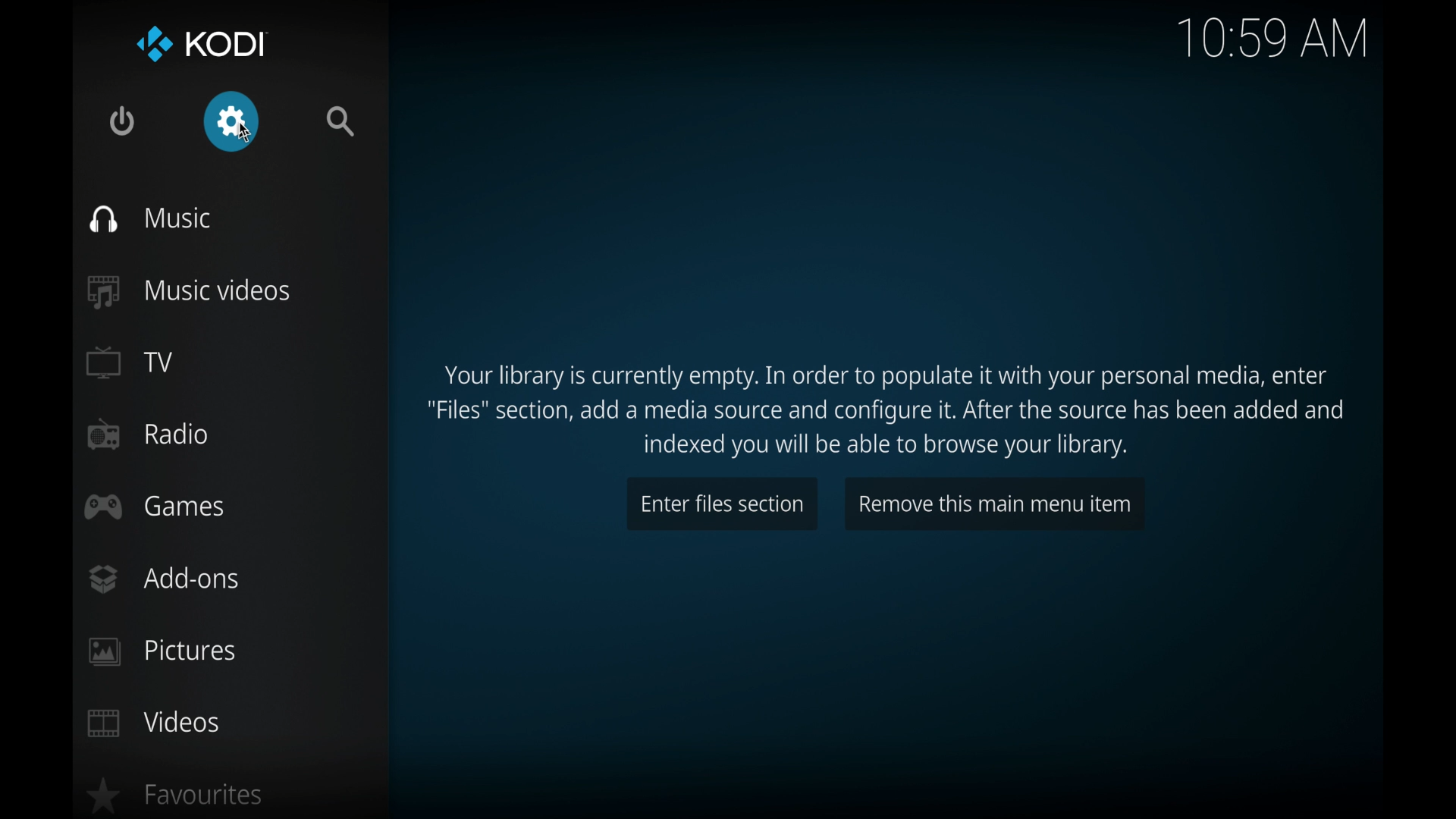  What do you see at coordinates (151, 722) in the screenshot?
I see `videos` at bounding box center [151, 722].